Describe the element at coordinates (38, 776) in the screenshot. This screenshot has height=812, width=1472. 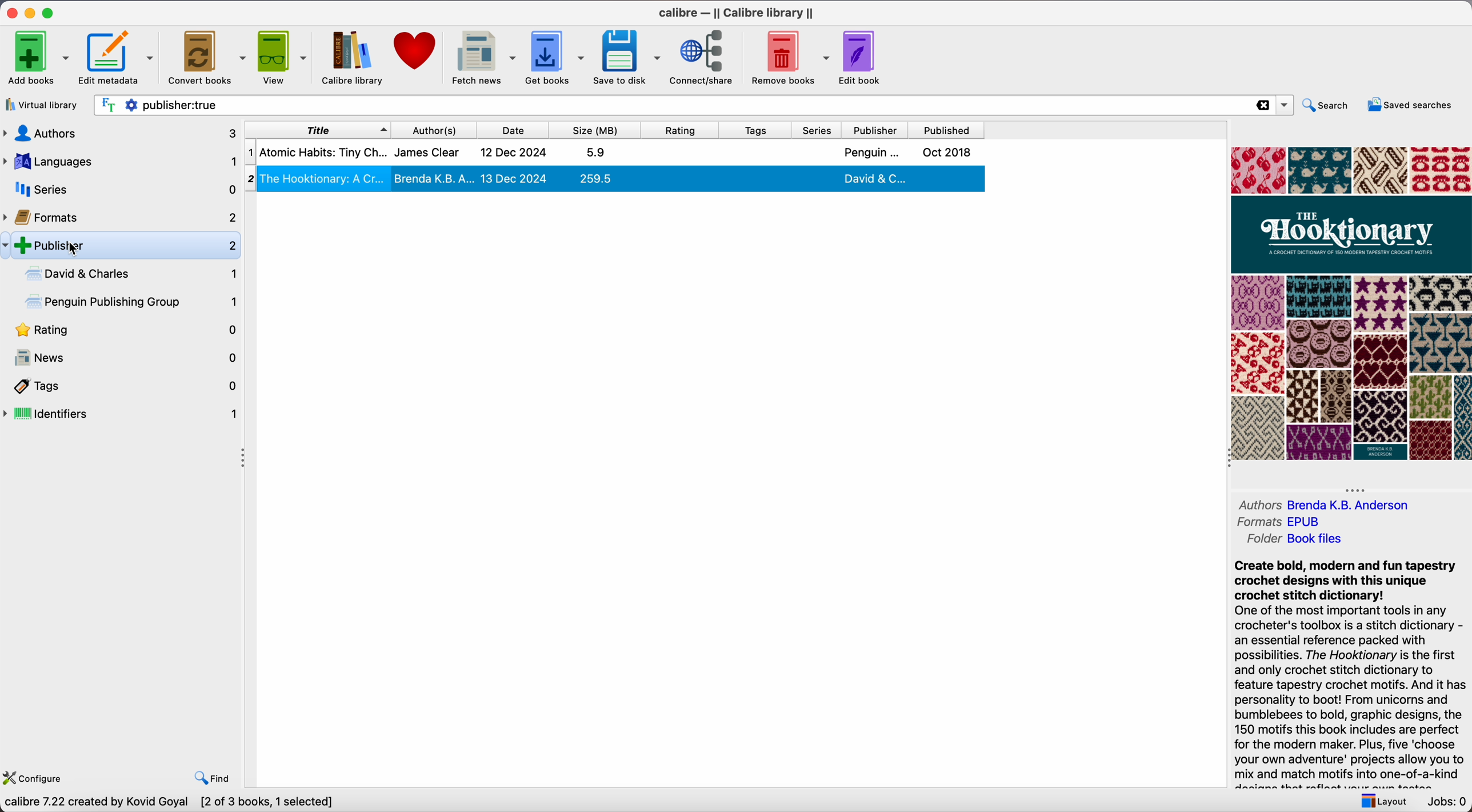
I see `configure` at that location.